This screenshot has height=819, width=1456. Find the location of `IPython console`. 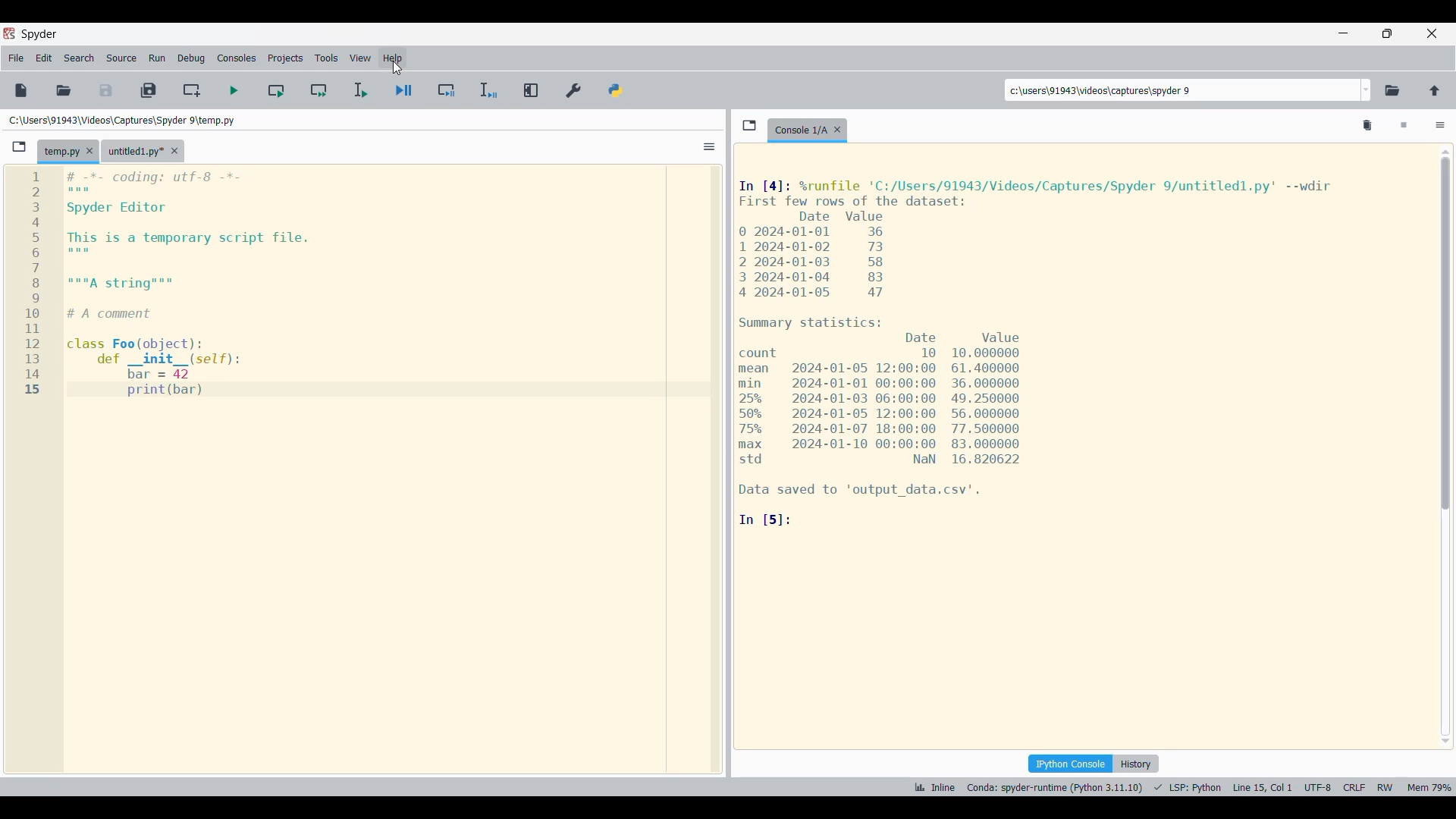

IPython console is located at coordinates (1071, 763).